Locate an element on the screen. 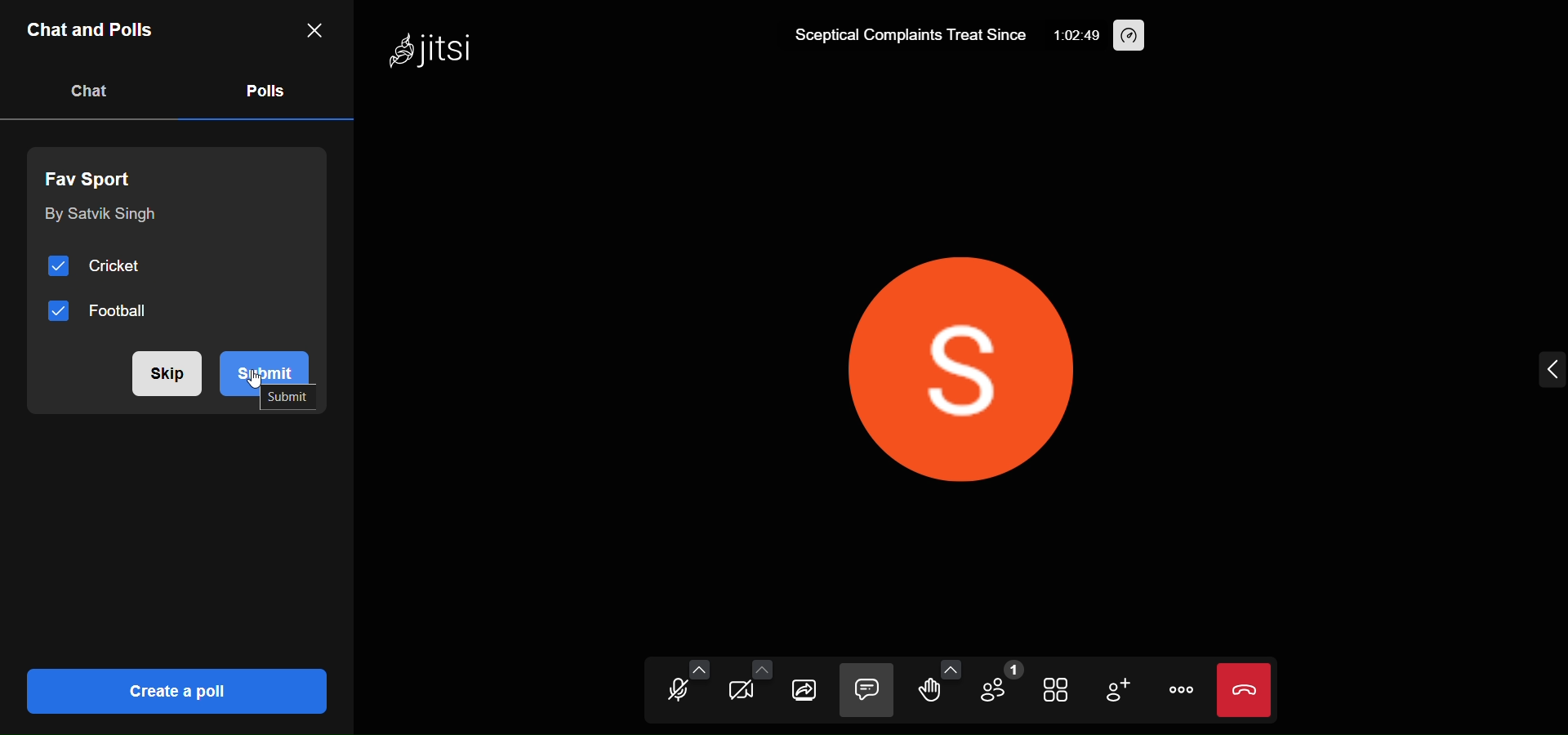 This screenshot has width=1568, height=735. microphone is located at coordinates (673, 693).